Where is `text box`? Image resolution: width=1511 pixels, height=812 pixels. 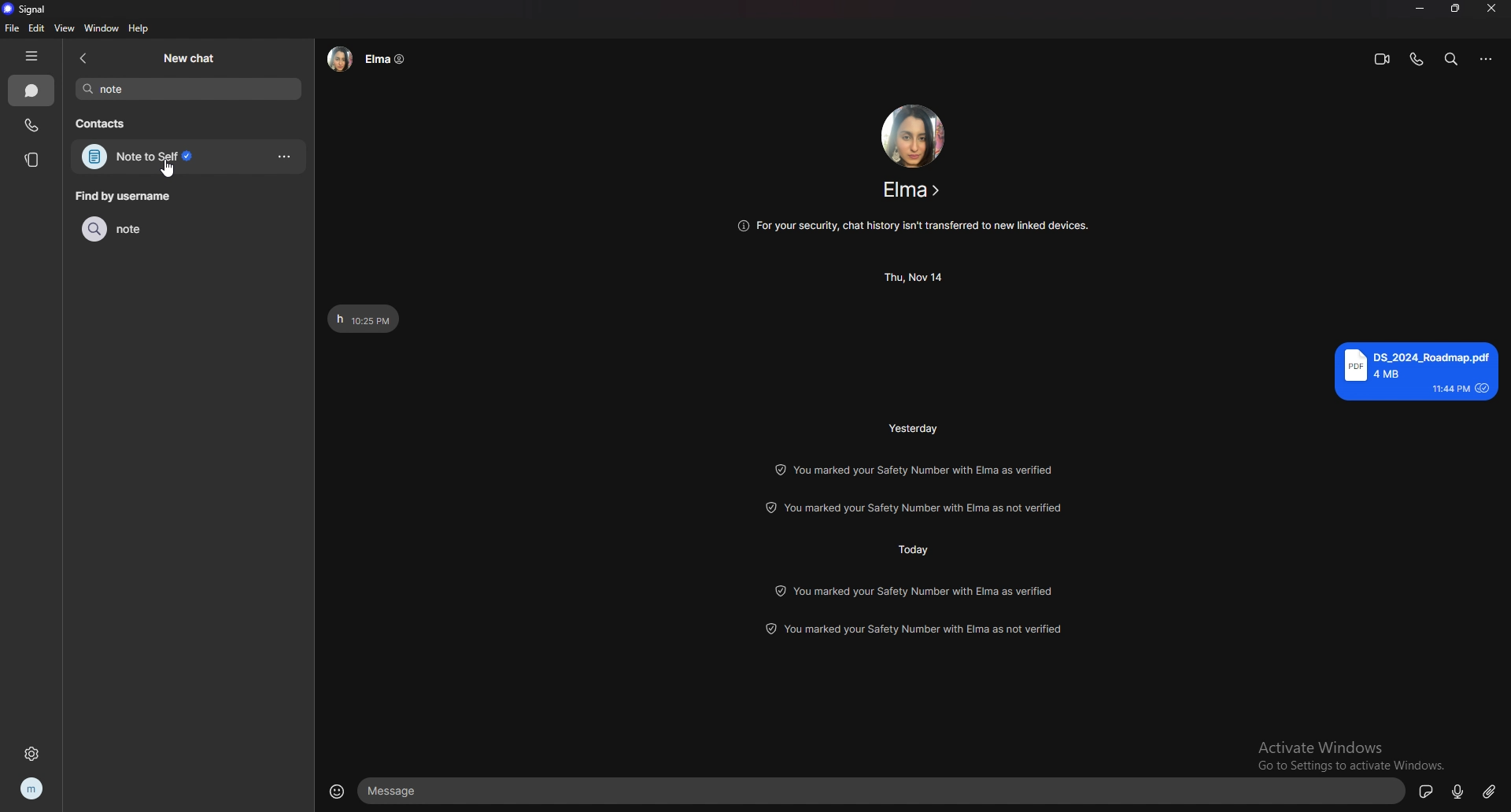
text box is located at coordinates (885, 791).